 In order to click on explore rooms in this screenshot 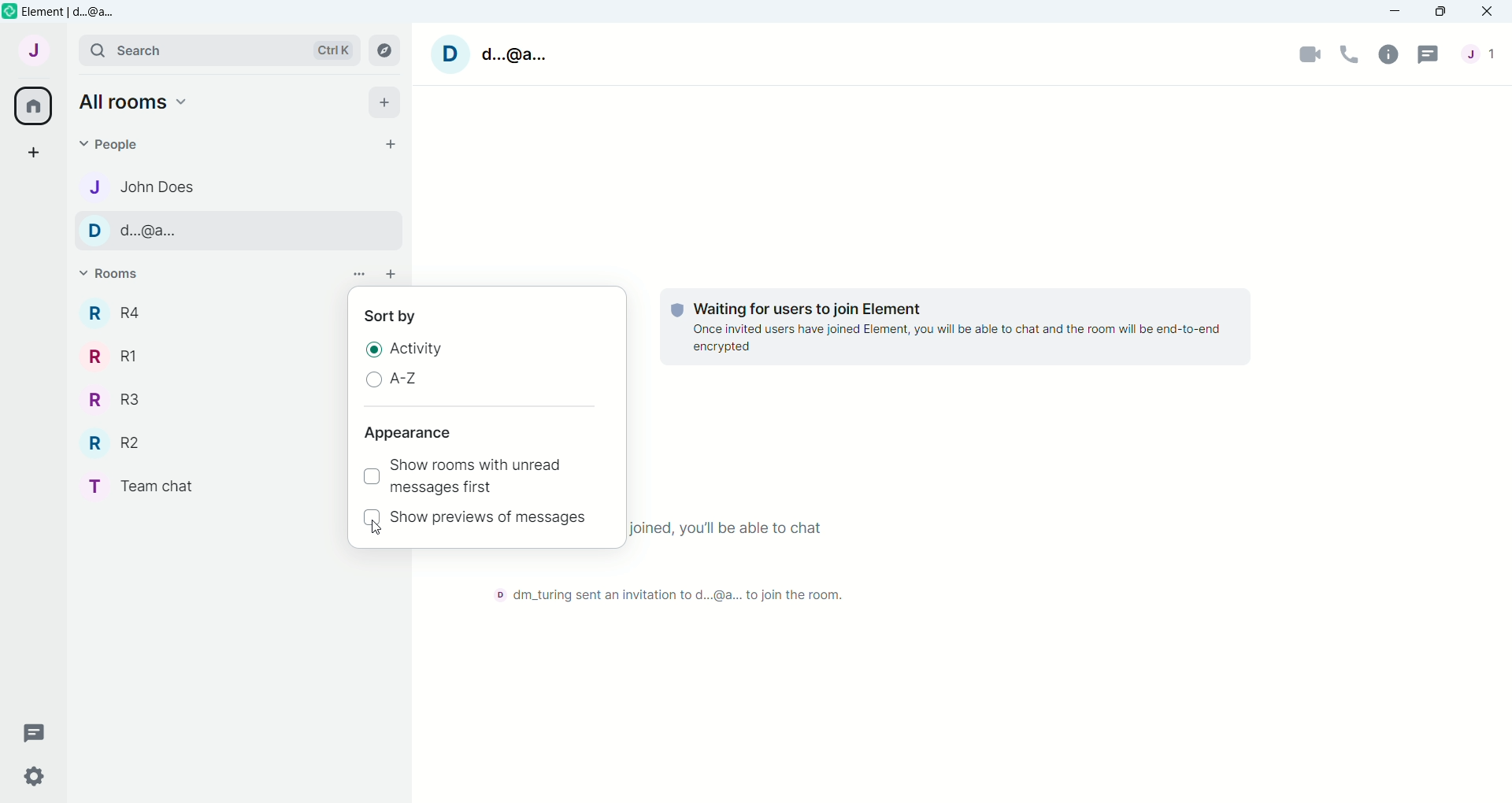, I will do `click(384, 50)`.